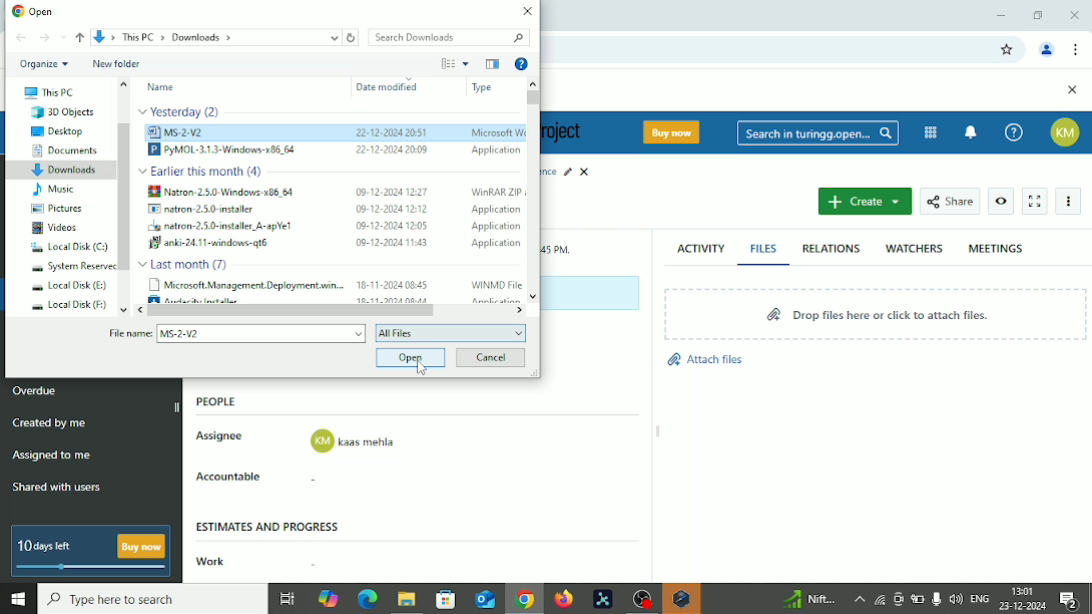 The height and width of the screenshot is (614, 1092). I want to click on type, so click(483, 89).